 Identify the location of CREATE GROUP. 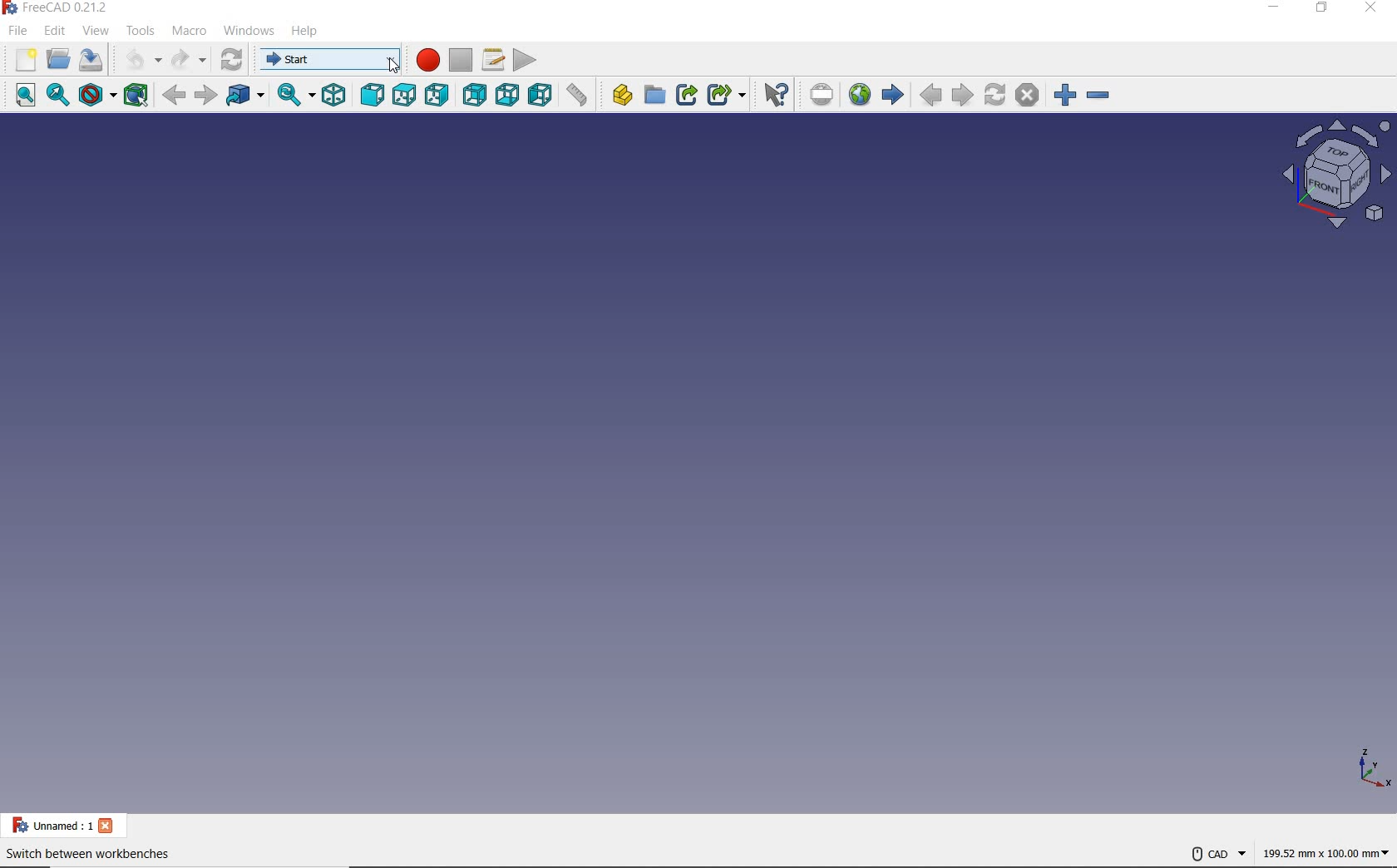
(654, 93).